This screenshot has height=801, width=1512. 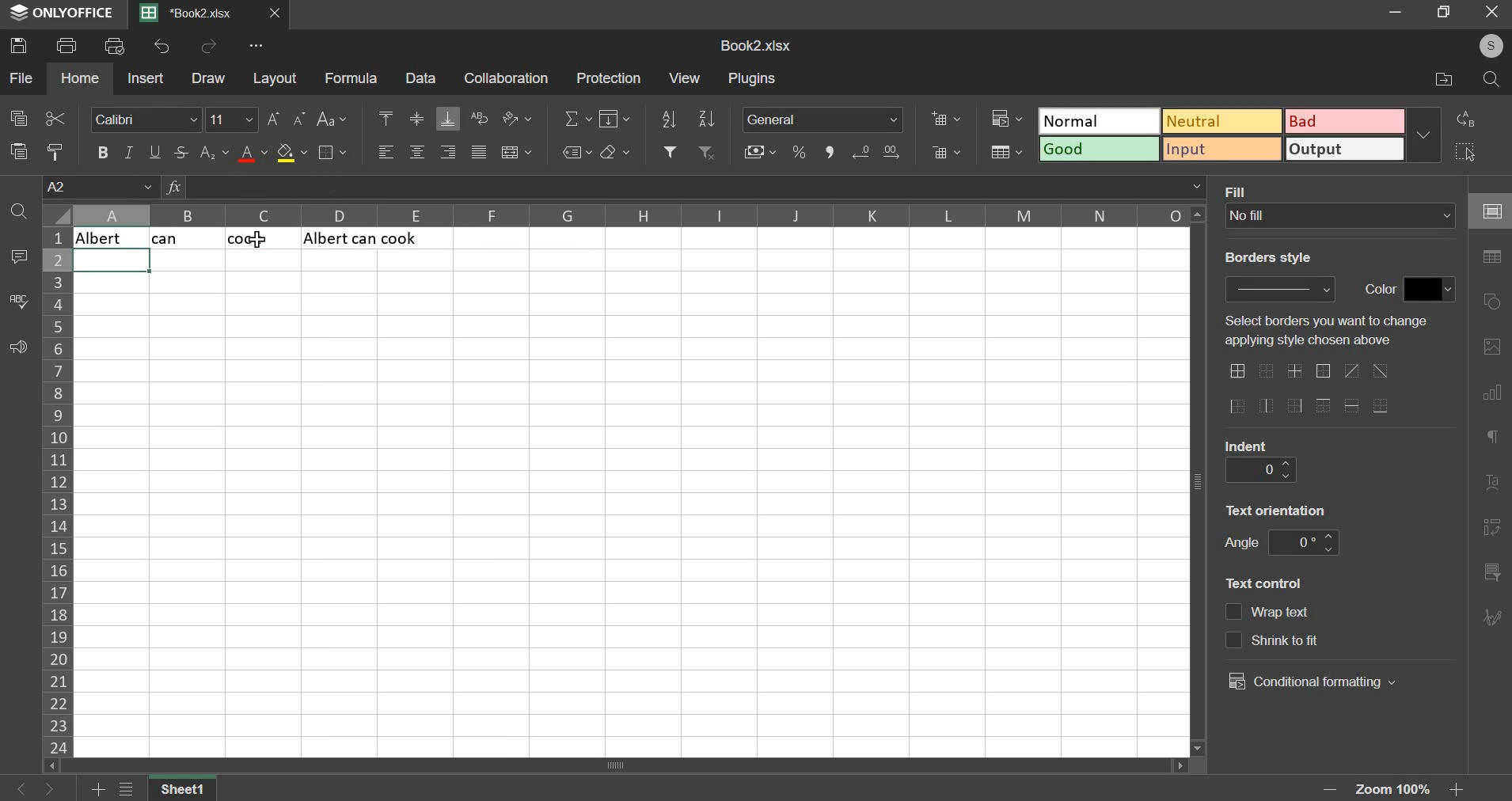 What do you see at coordinates (946, 118) in the screenshot?
I see `add cells` at bounding box center [946, 118].